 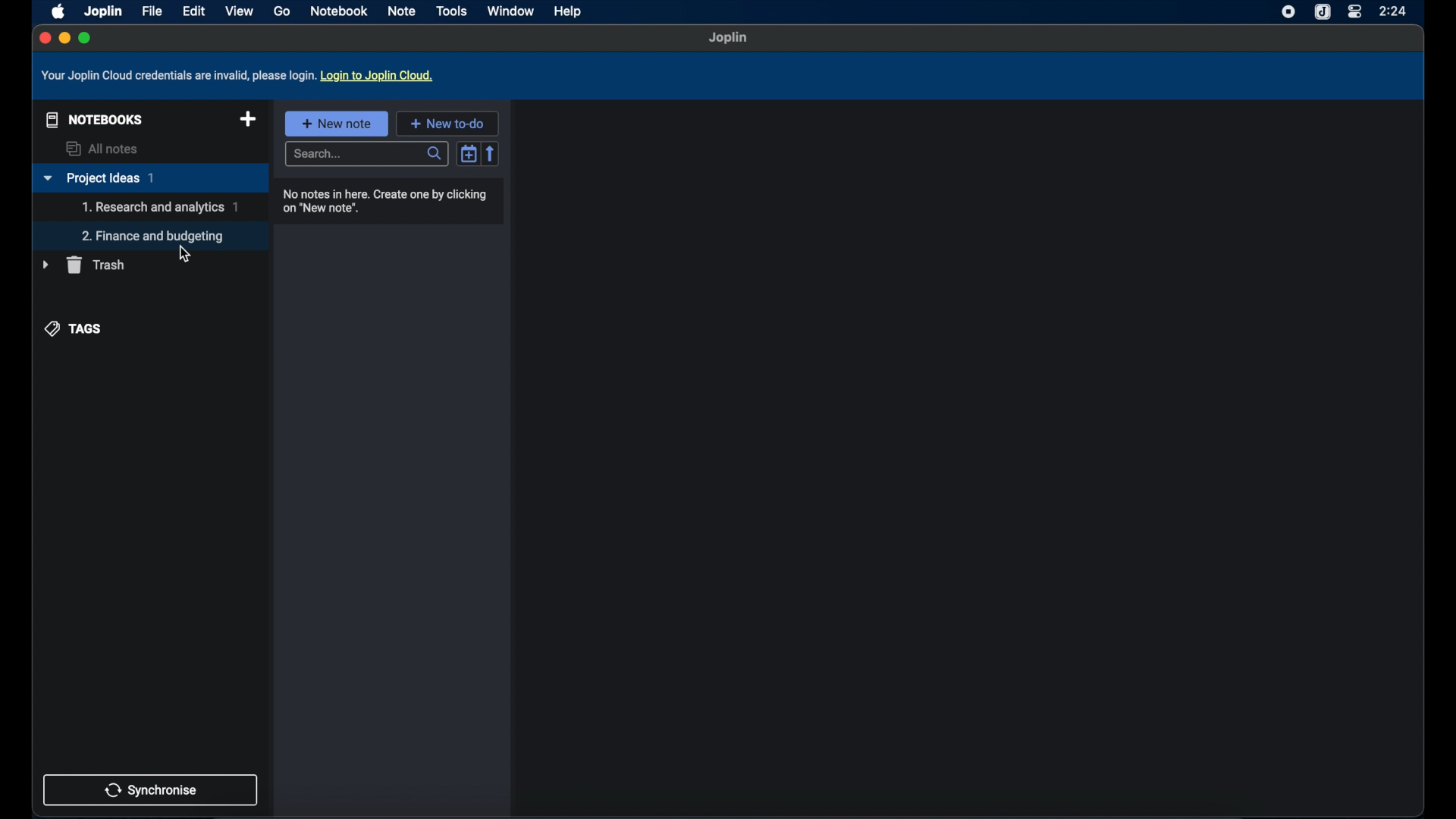 I want to click on toggle sort order field, so click(x=469, y=152).